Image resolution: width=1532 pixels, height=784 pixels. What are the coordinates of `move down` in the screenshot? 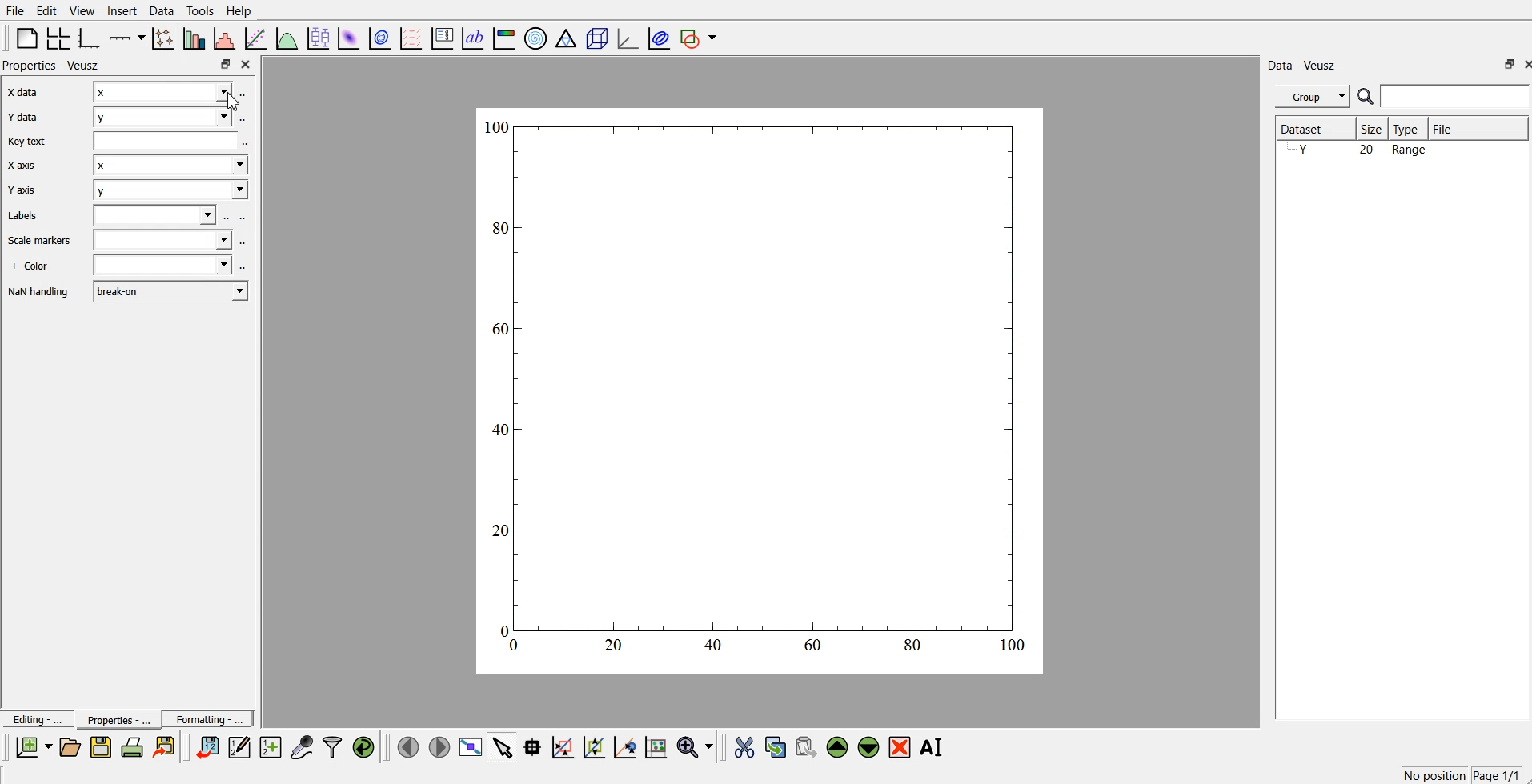 It's located at (869, 746).